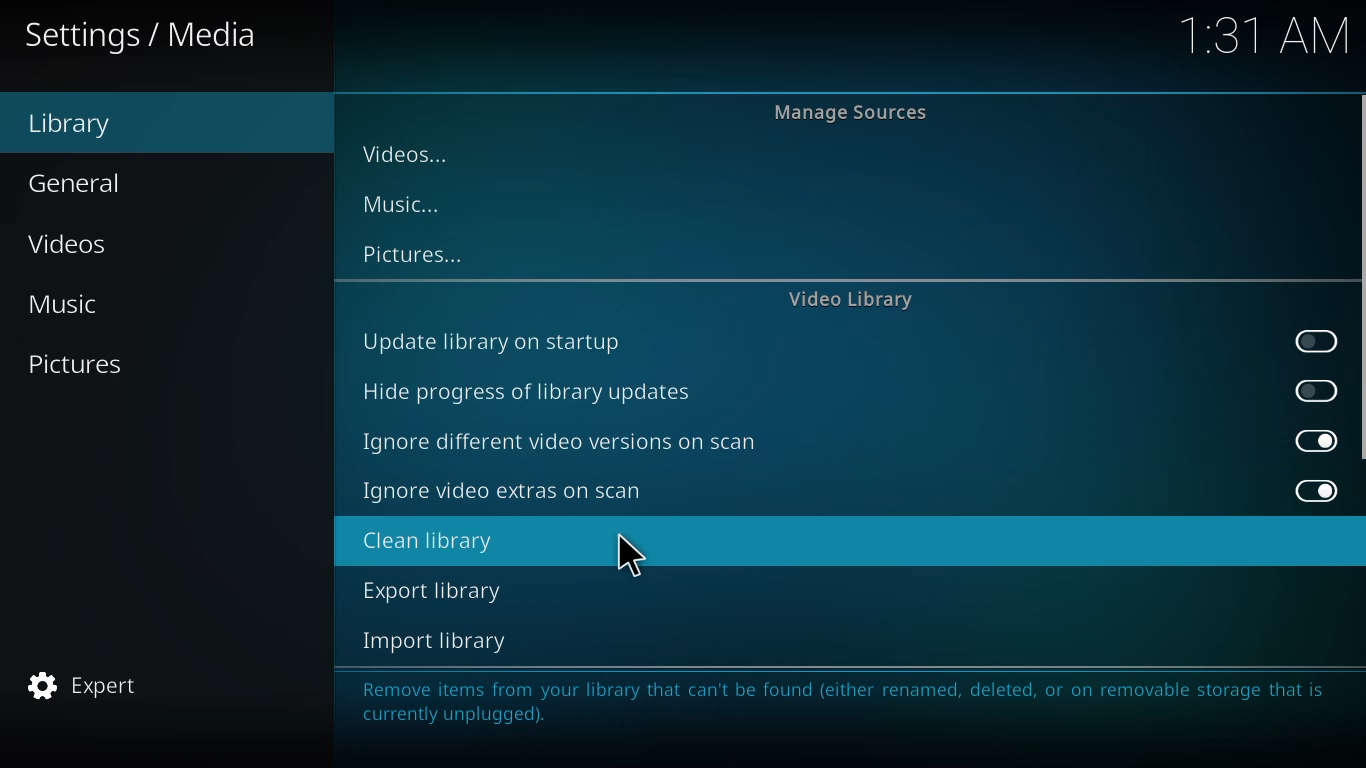 Image resolution: width=1366 pixels, height=768 pixels. Describe the element at coordinates (77, 129) in the screenshot. I see `Library` at that location.